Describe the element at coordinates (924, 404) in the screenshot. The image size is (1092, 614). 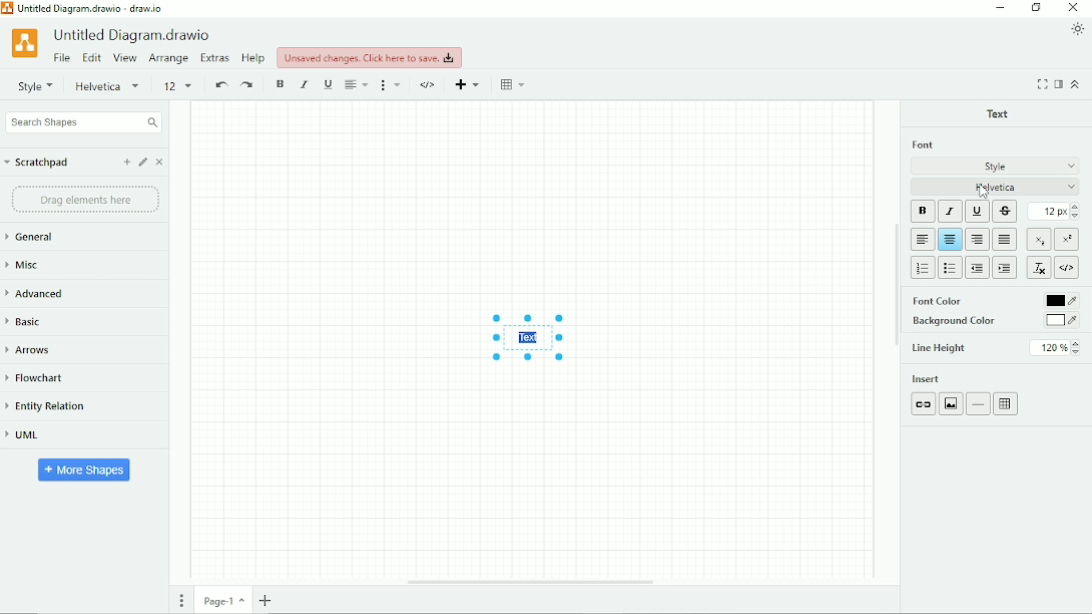
I see `Link` at that location.